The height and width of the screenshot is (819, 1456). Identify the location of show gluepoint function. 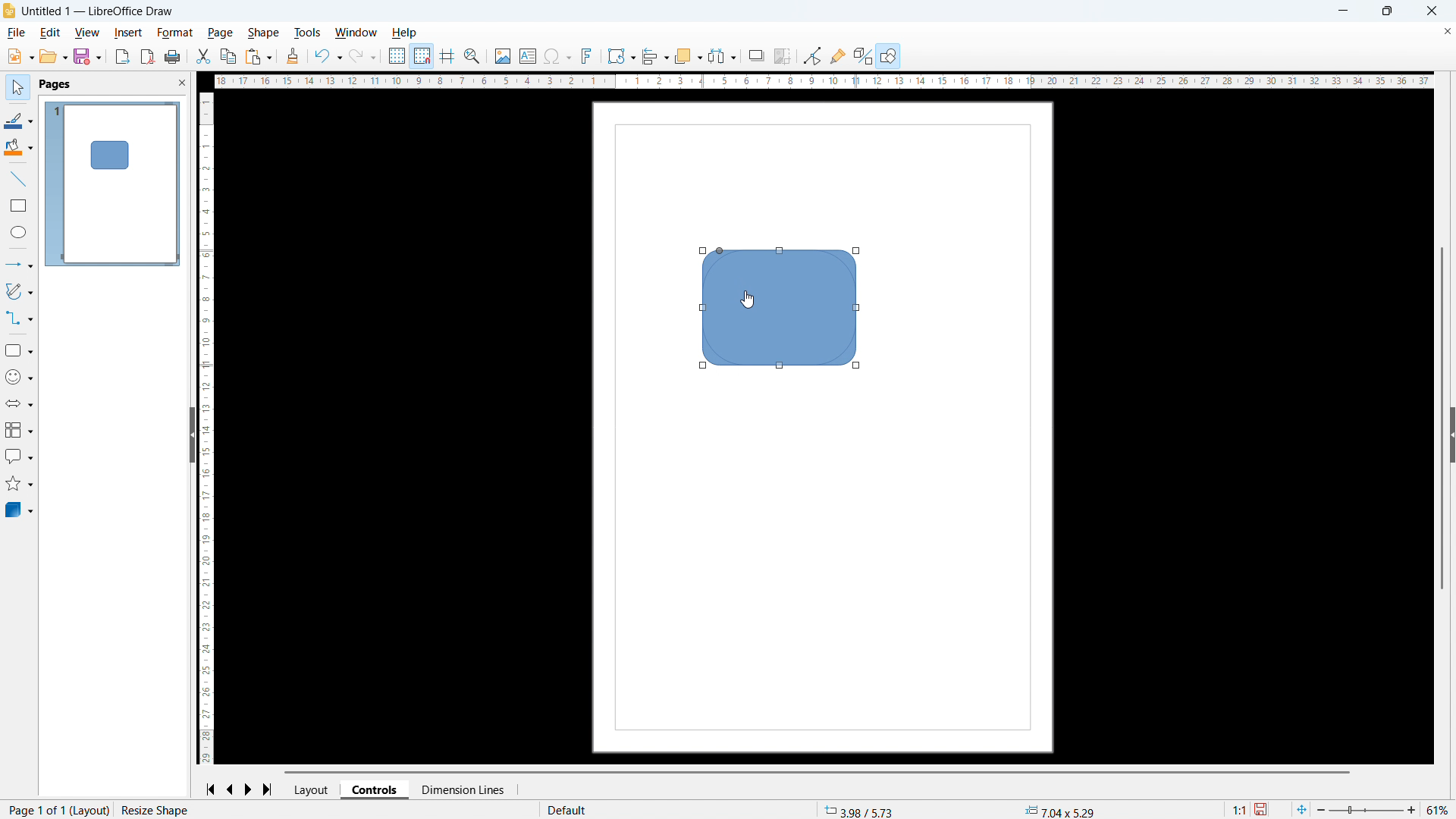
(837, 55).